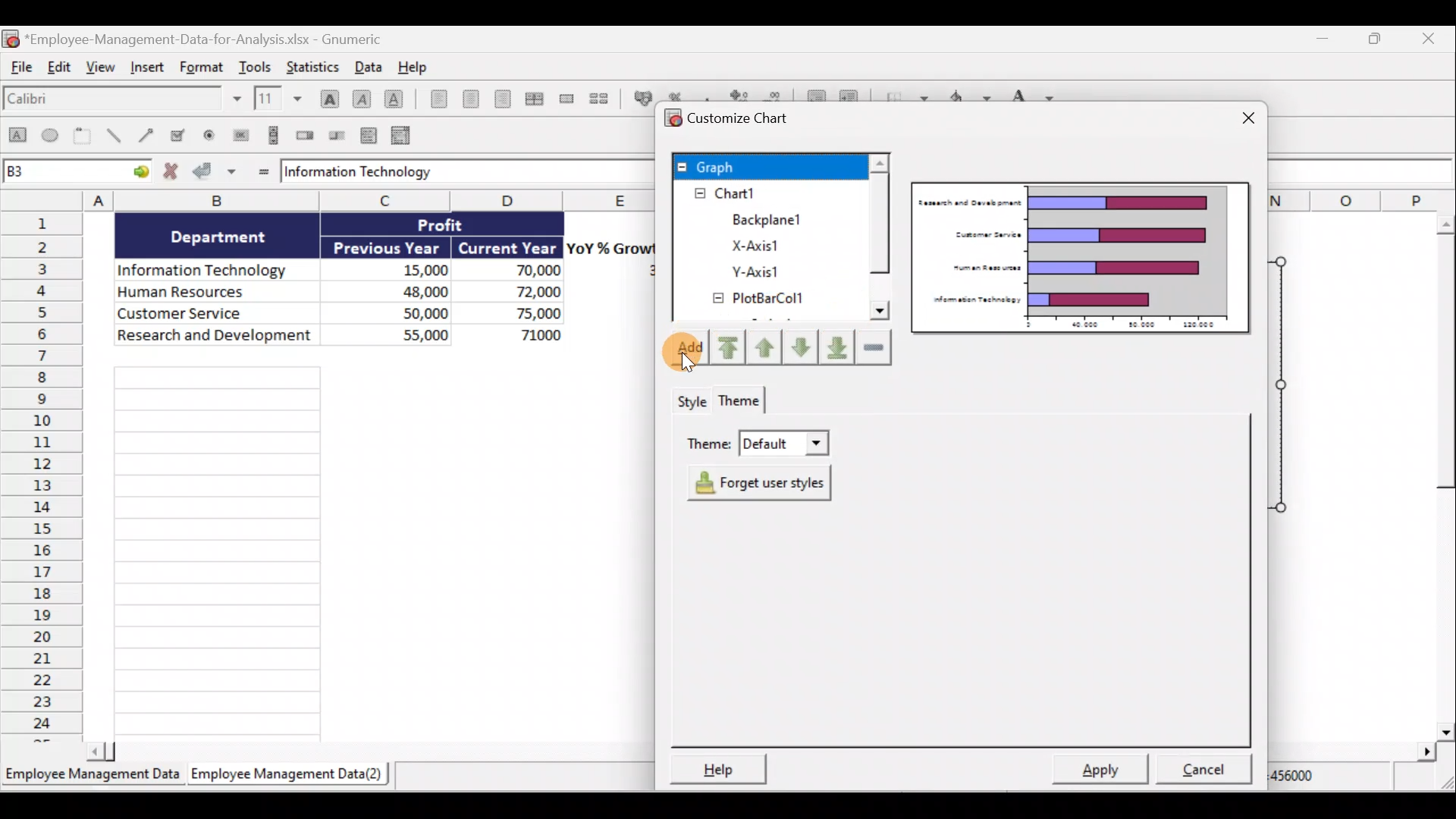  What do you see at coordinates (752, 271) in the screenshot?
I see `Y-axis1` at bounding box center [752, 271].